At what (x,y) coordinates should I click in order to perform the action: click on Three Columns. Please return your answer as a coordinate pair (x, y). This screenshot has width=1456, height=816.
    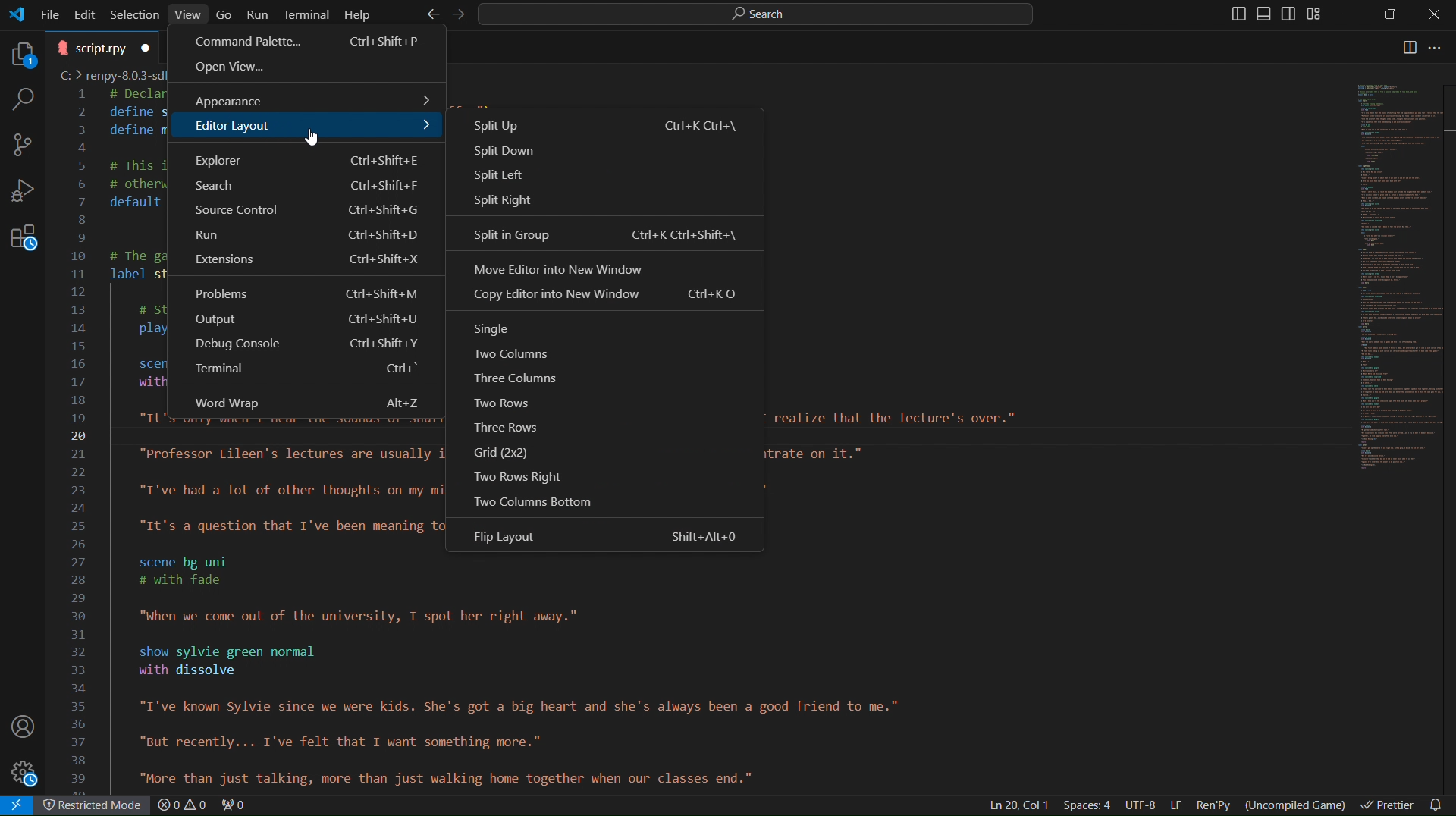
    Looking at the image, I should click on (522, 378).